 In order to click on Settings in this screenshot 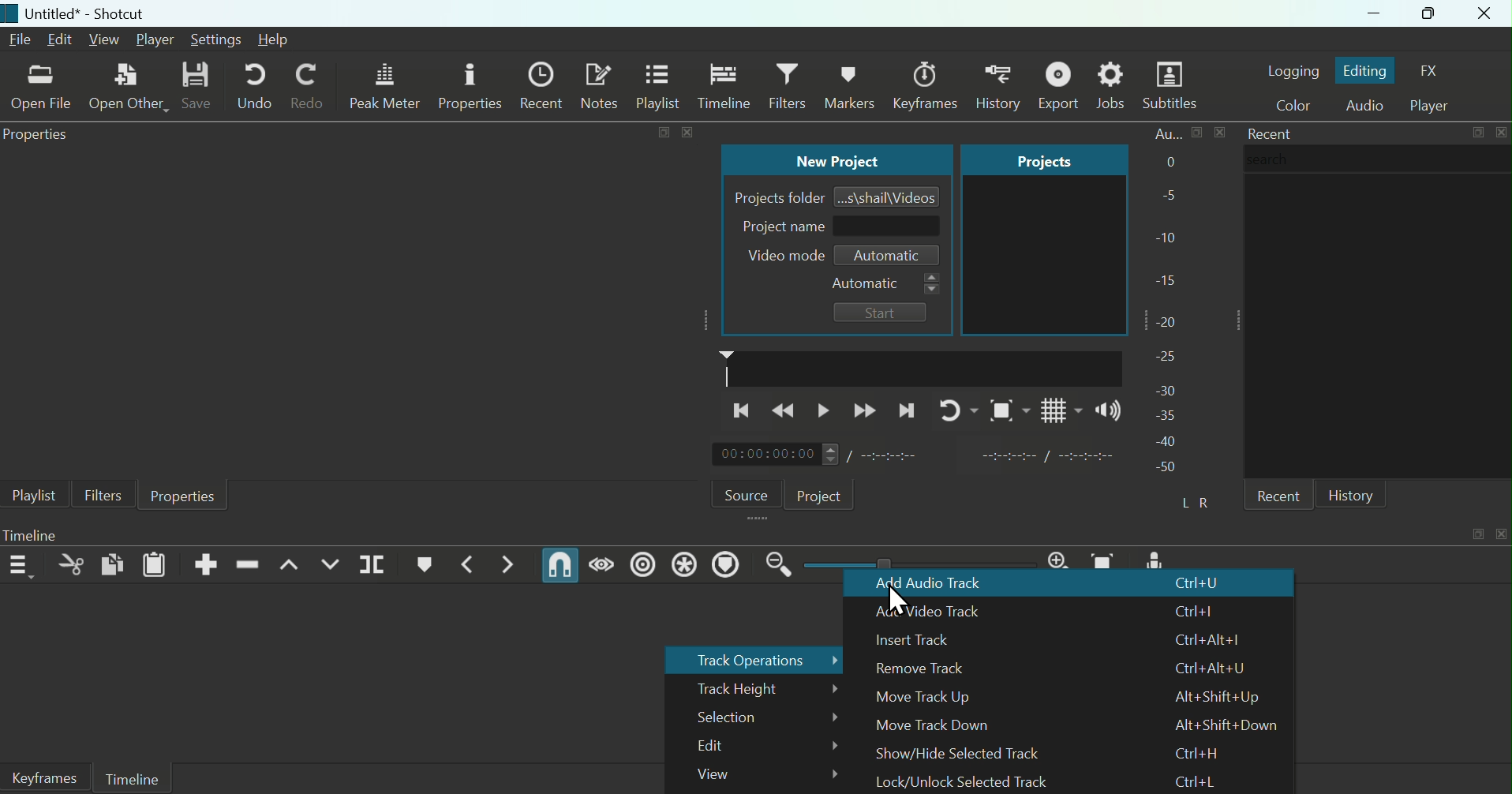, I will do `click(216, 39)`.